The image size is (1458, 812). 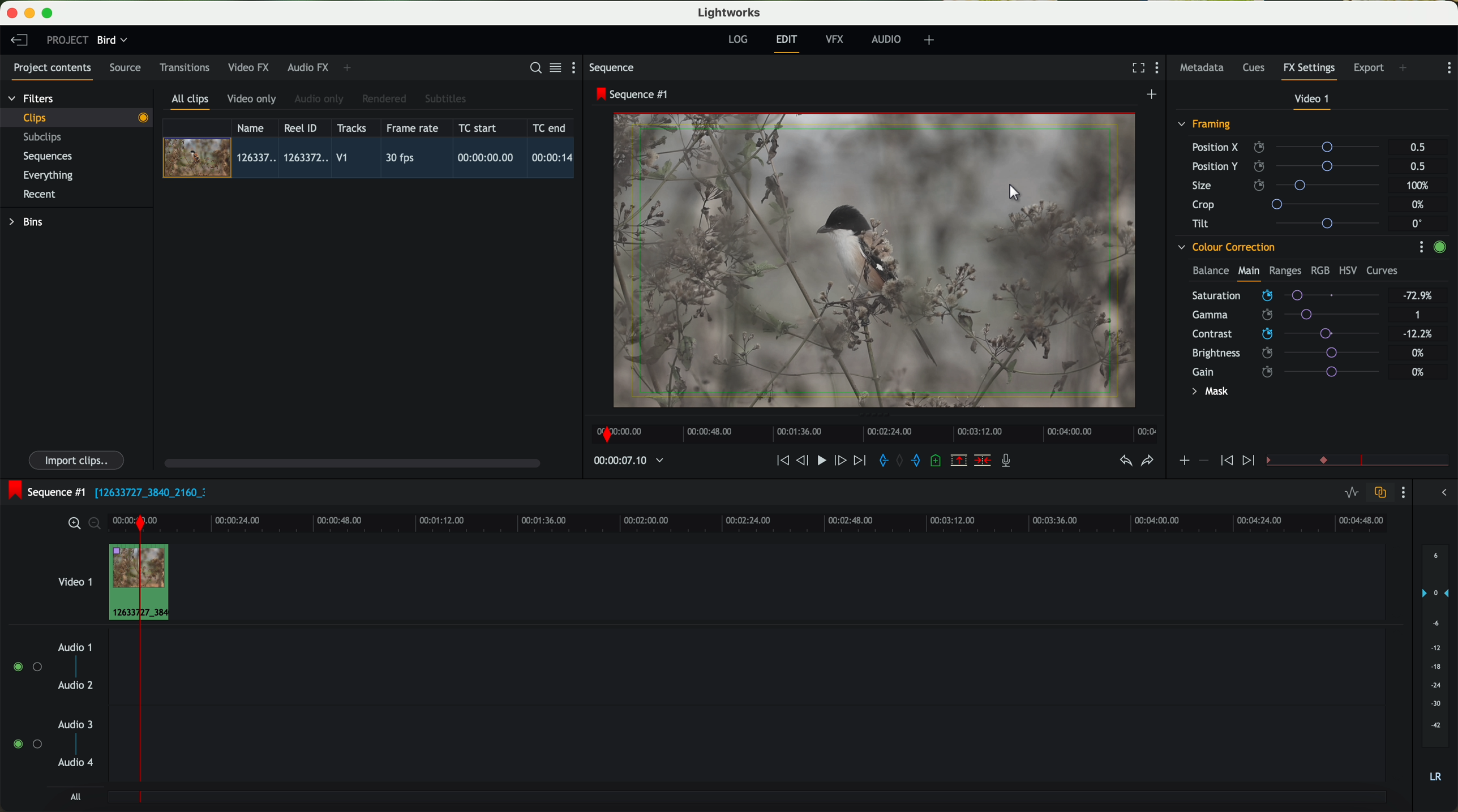 What do you see at coordinates (1225, 461) in the screenshot?
I see `icon` at bounding box center [1225, 461].